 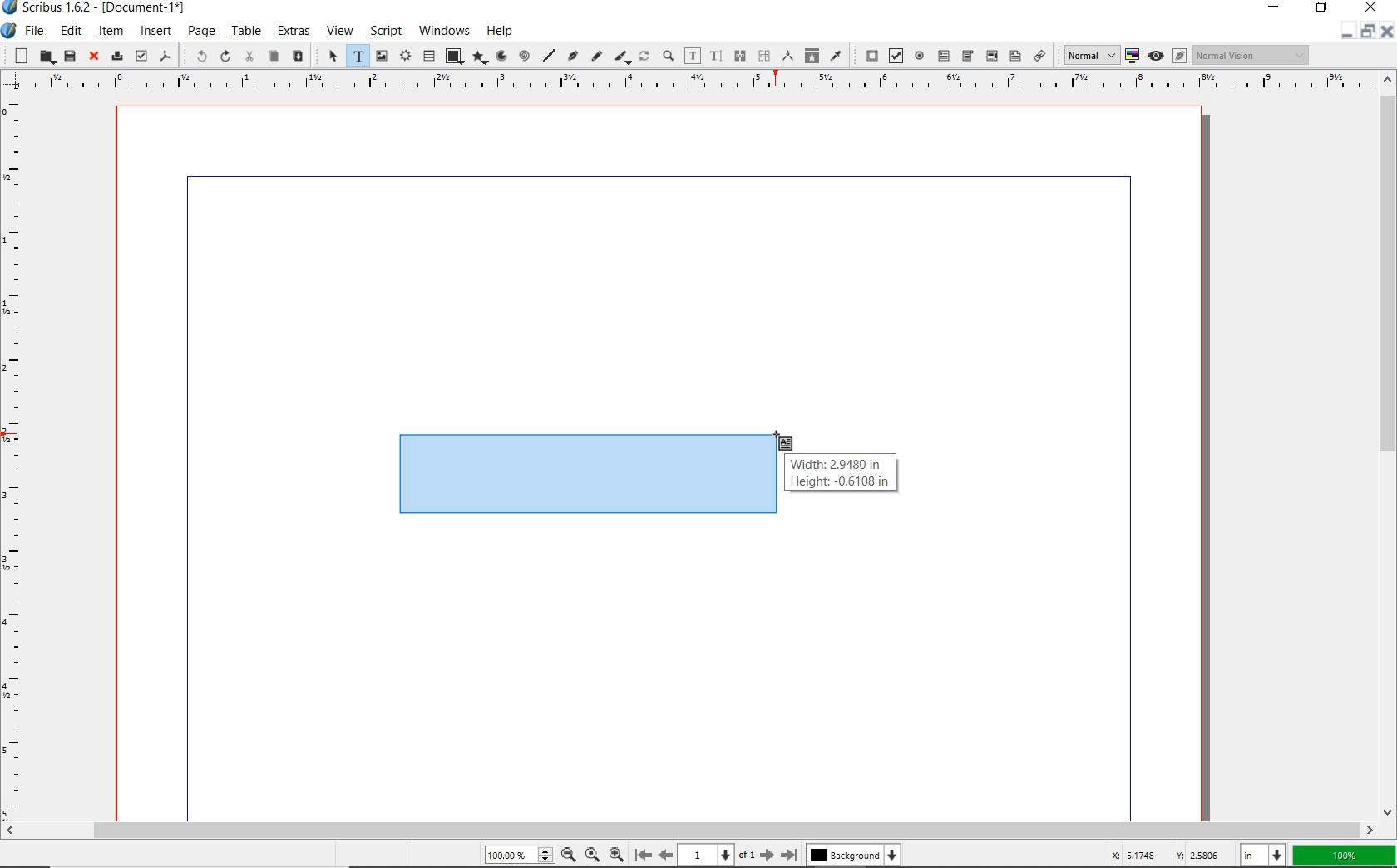 I want to click on normal, so click(x=1088, y=55).